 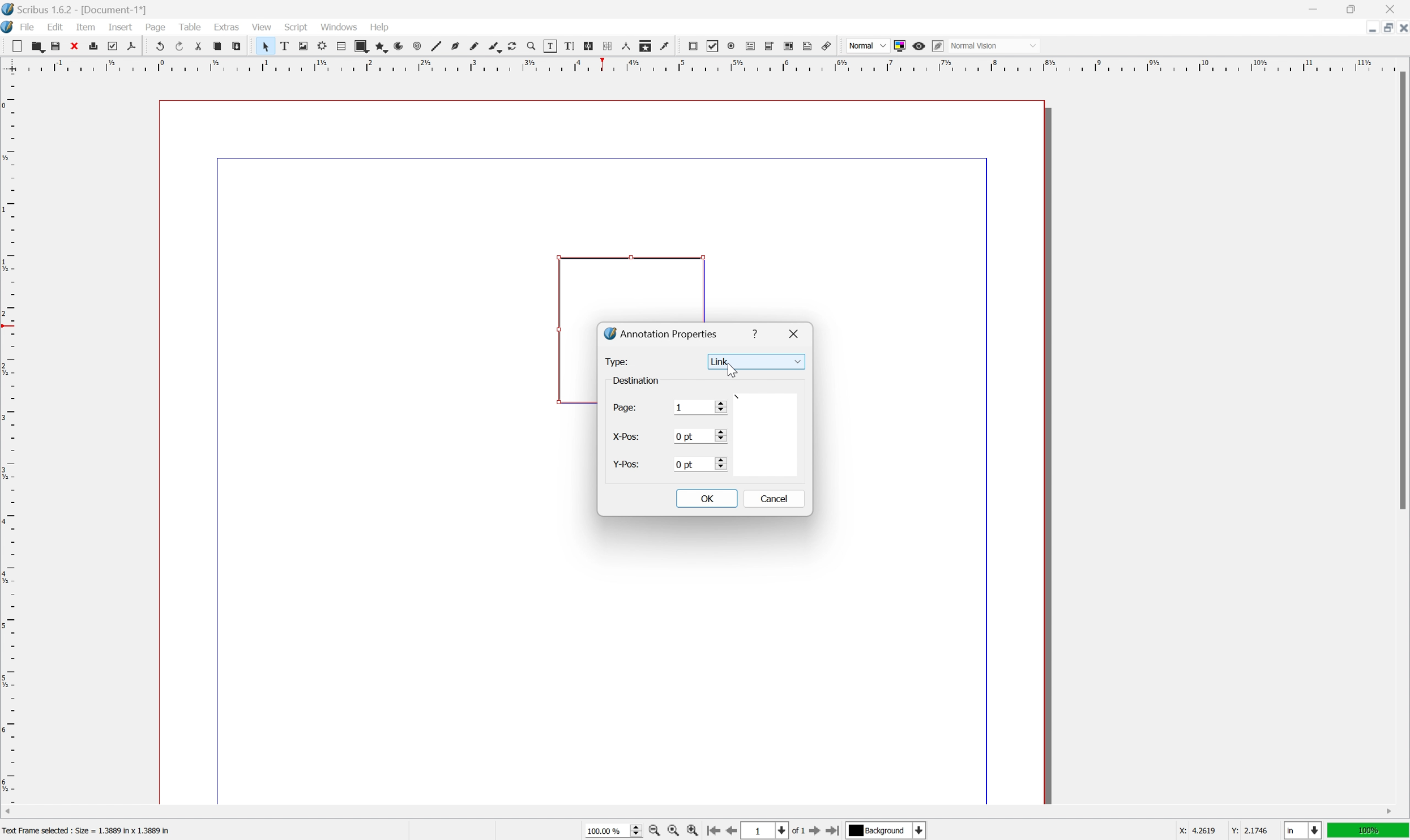 I want to click on toggle color management system, so click(x=900, y=46).